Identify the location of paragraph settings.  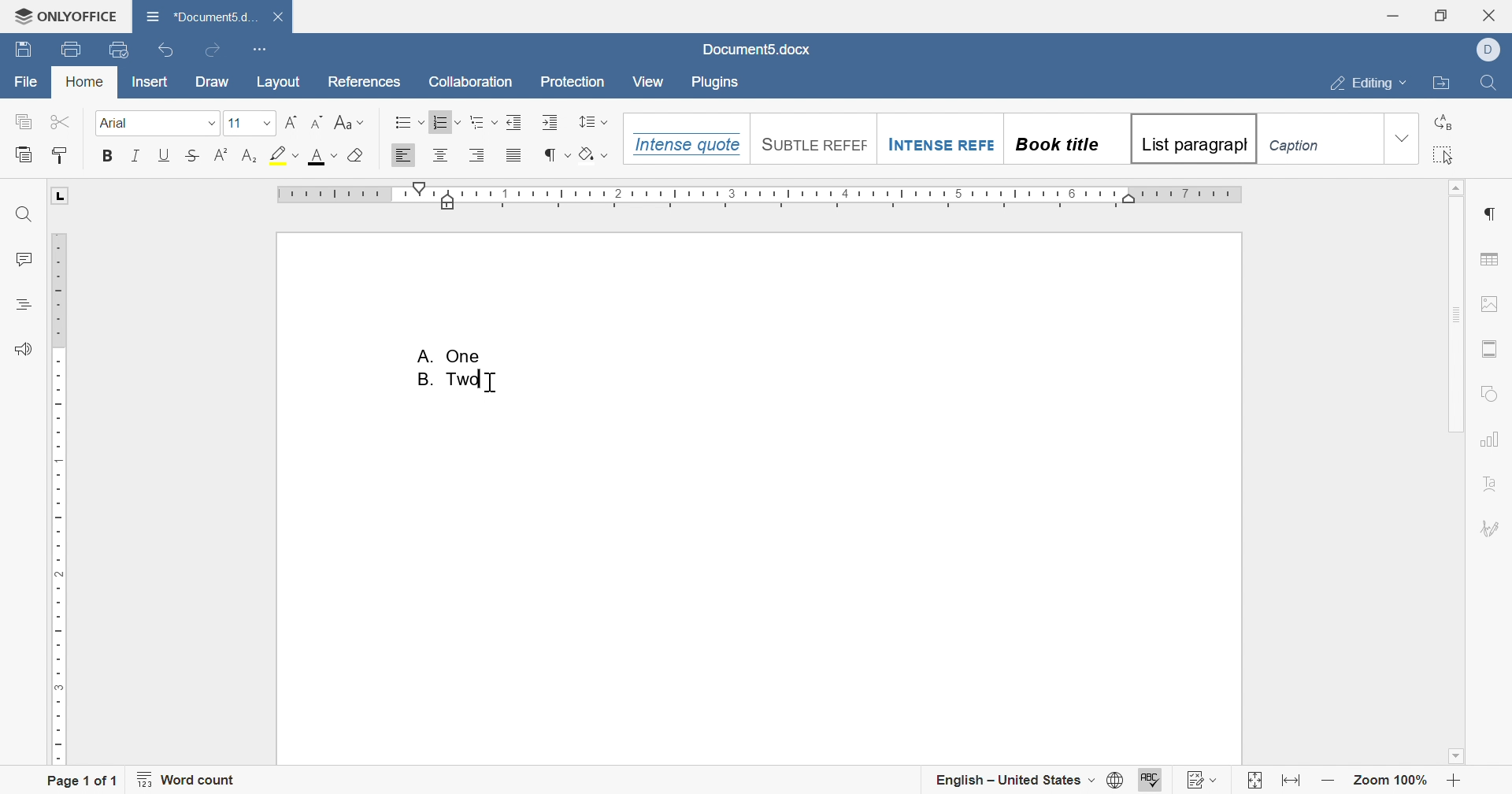
(1491, 215).